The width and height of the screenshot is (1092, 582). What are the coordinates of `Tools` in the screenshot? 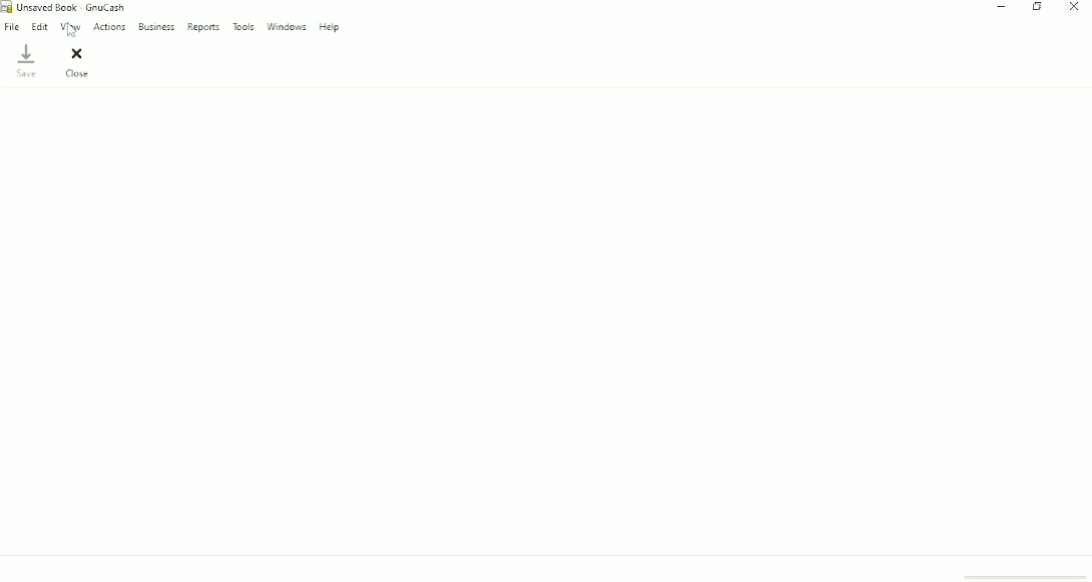 It's located at (244, 26).